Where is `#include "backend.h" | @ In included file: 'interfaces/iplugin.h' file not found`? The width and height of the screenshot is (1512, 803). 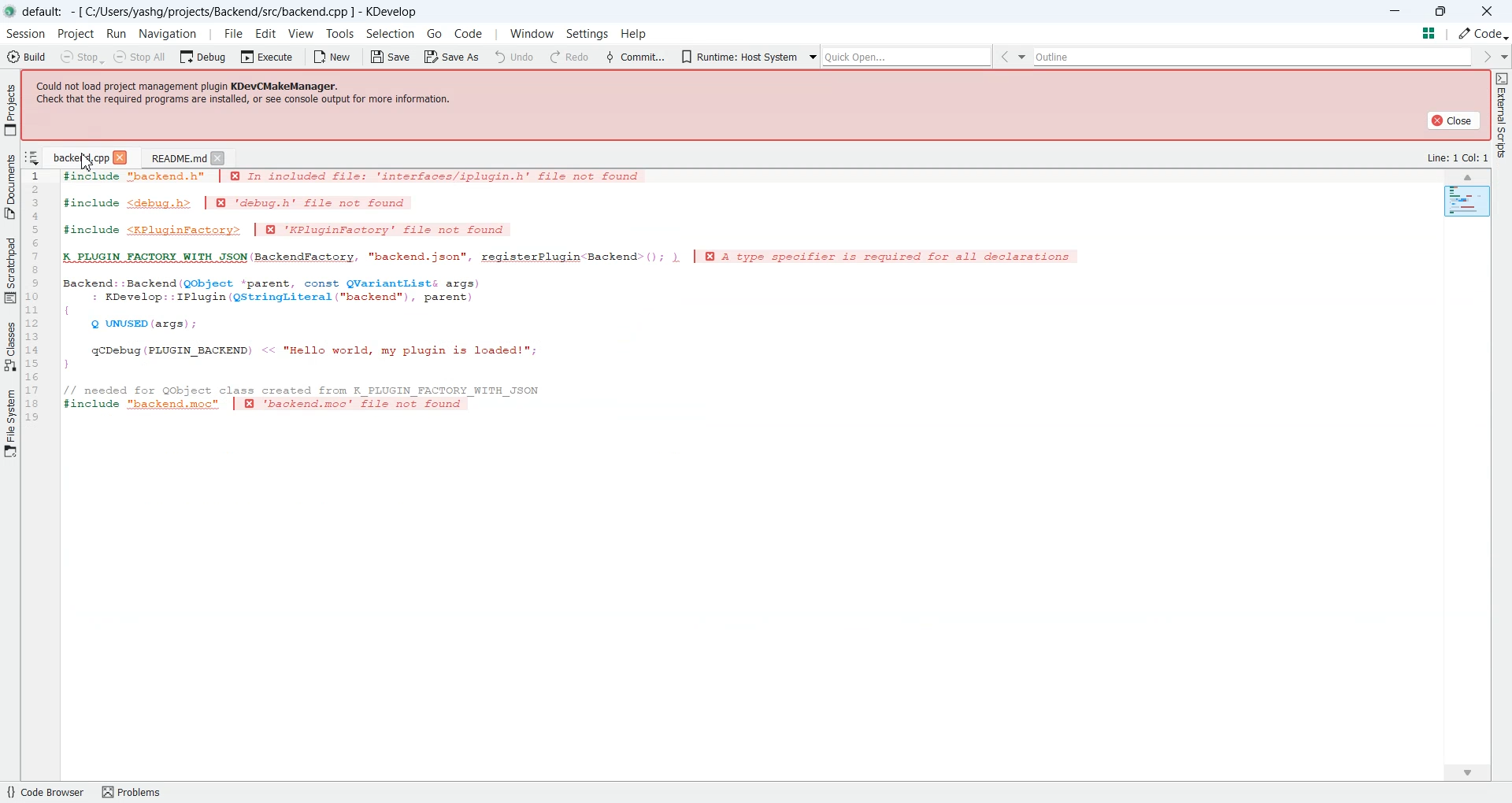
#include "backend.h" | @ In included file: 'interfaces/iplugin.h' file not found is located at coordinates (354, 179).